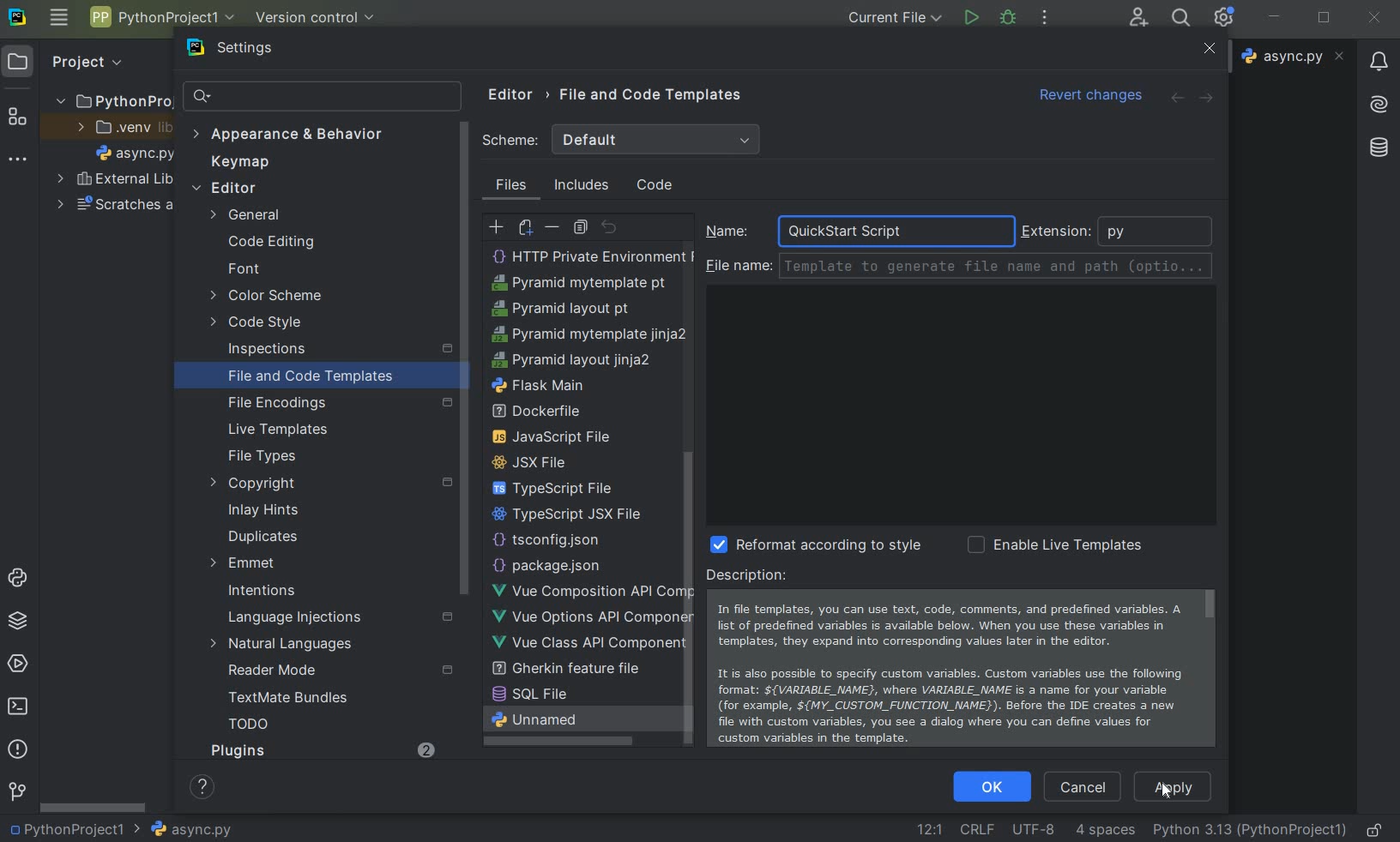  What do you see at coordinates (995, 786) in the screenshot?
I see `ok` at bounding box center [995, 786].